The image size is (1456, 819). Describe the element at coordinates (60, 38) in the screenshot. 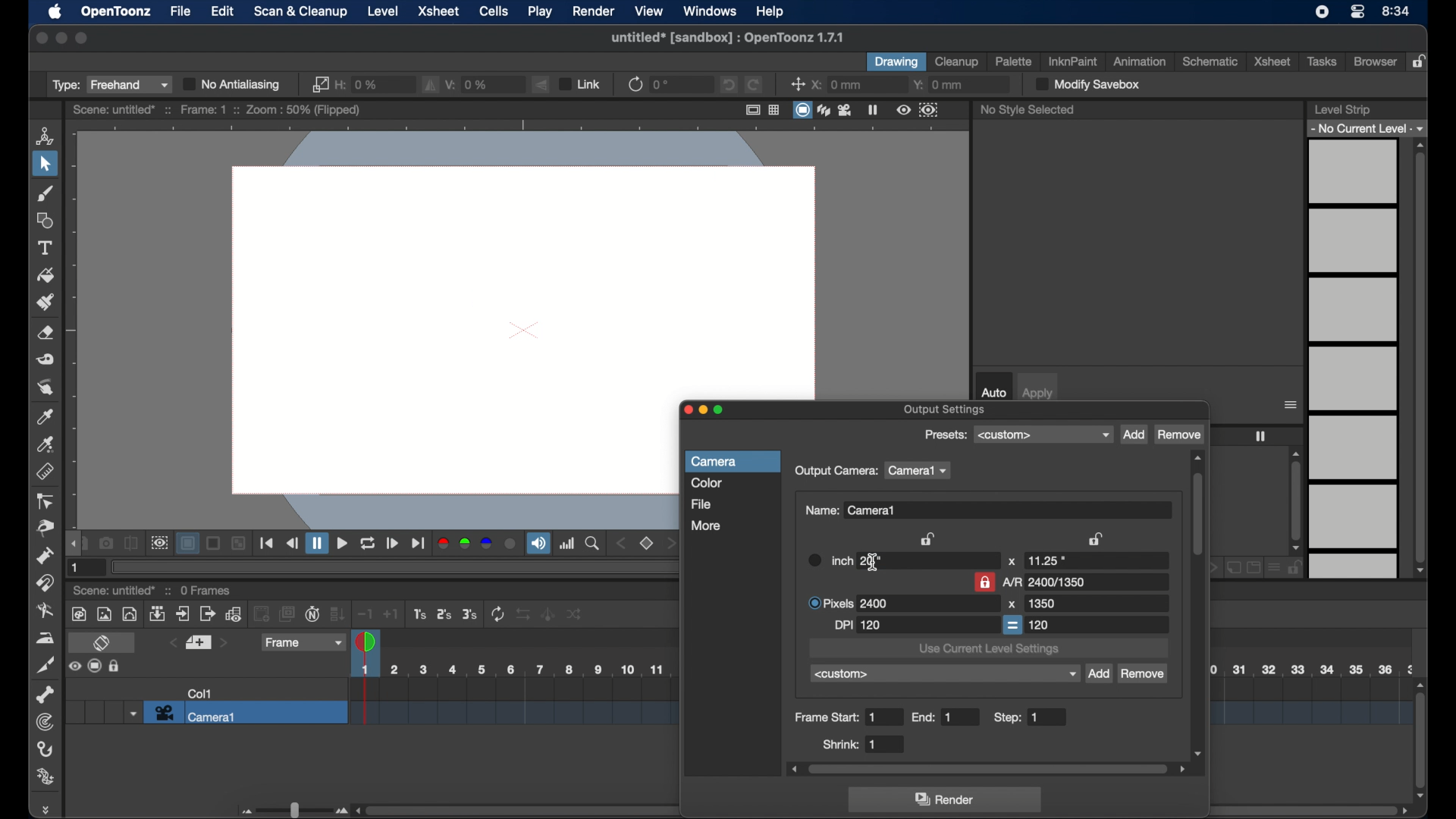

I see `minimize` at that location.